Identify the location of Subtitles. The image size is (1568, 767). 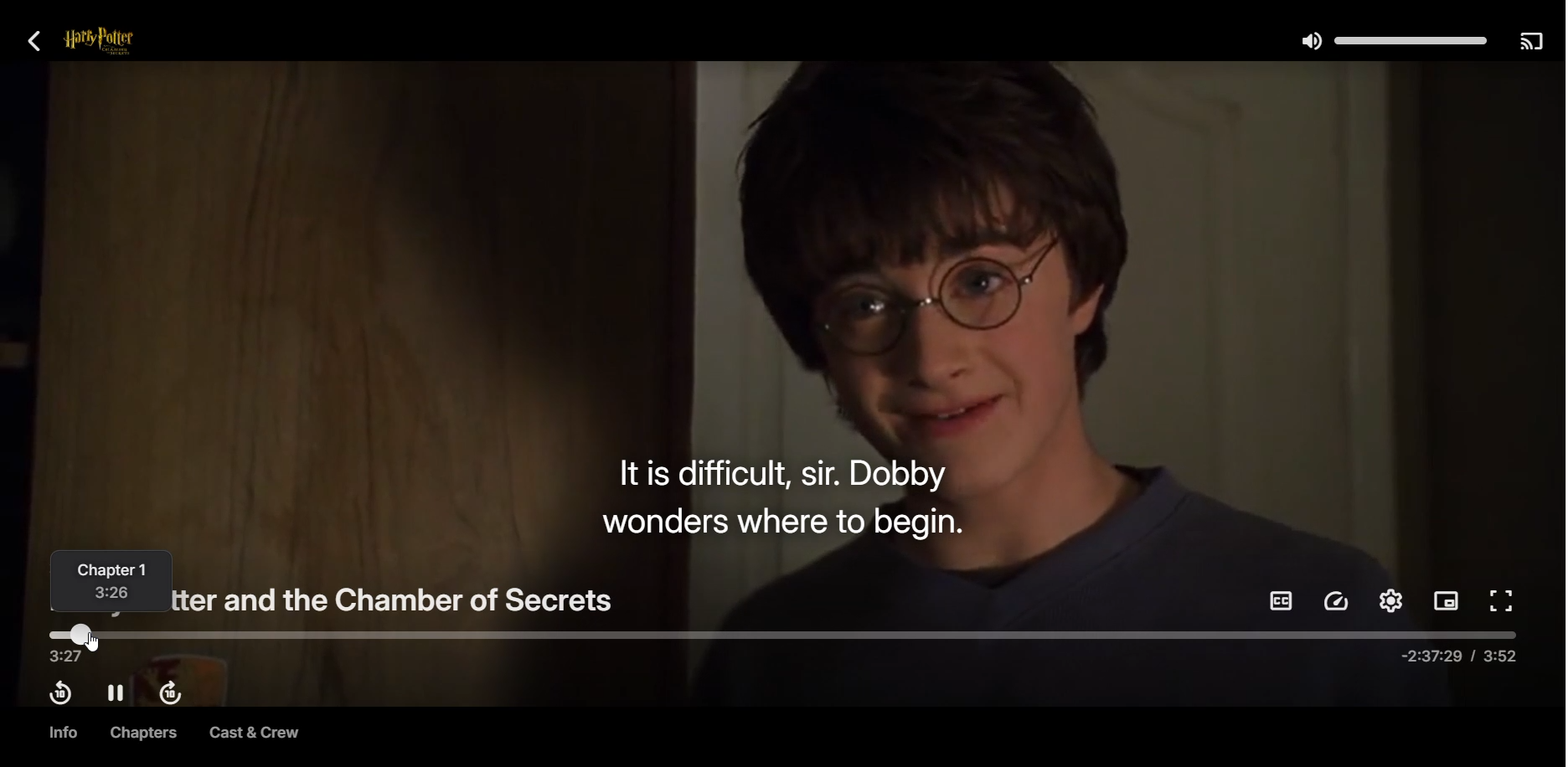
(1280, 600).